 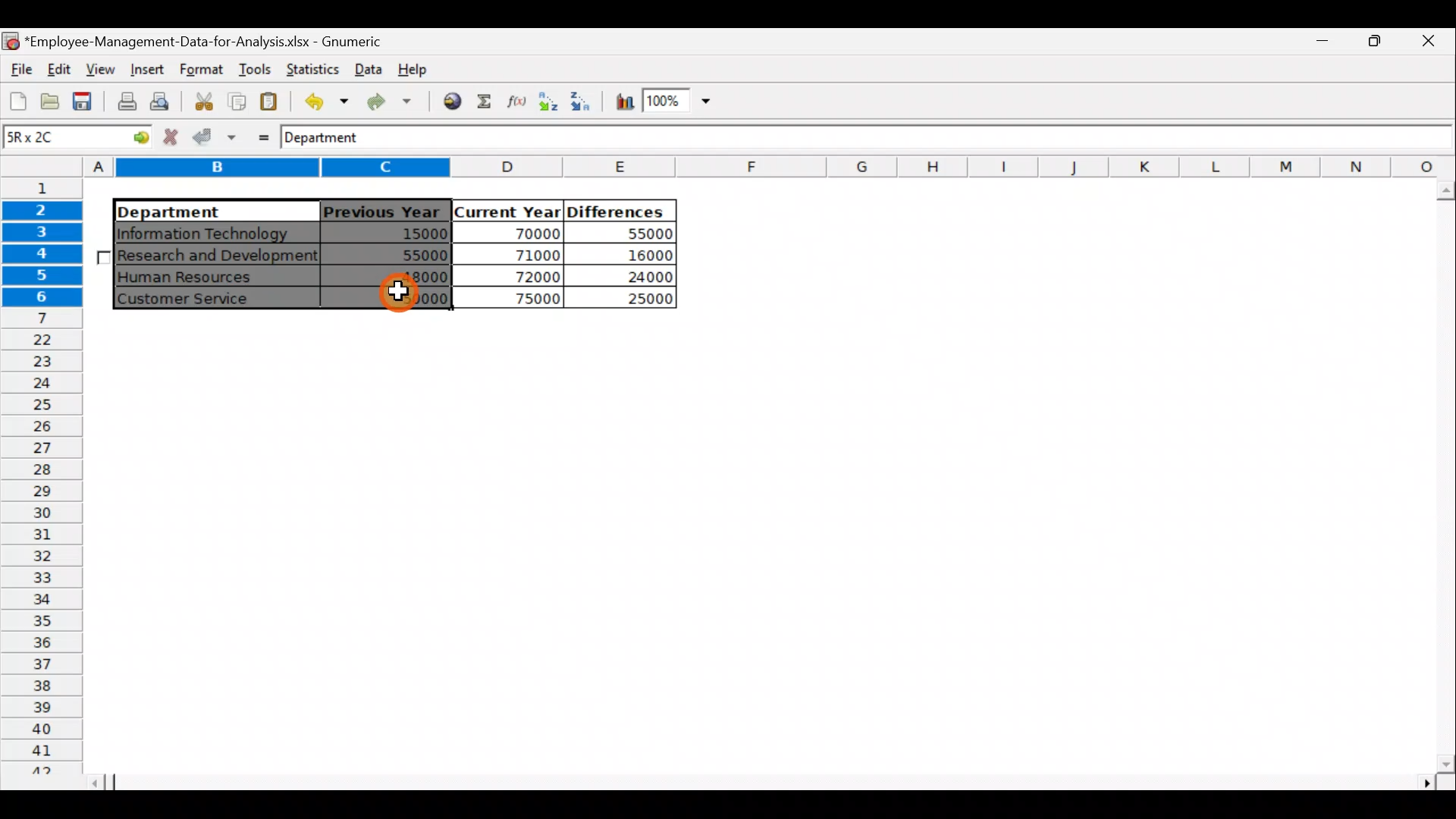 What do you see at coordinates (623, 102) in the screenshot?
I see `Insert a chart` at bounding box center [623, 102].